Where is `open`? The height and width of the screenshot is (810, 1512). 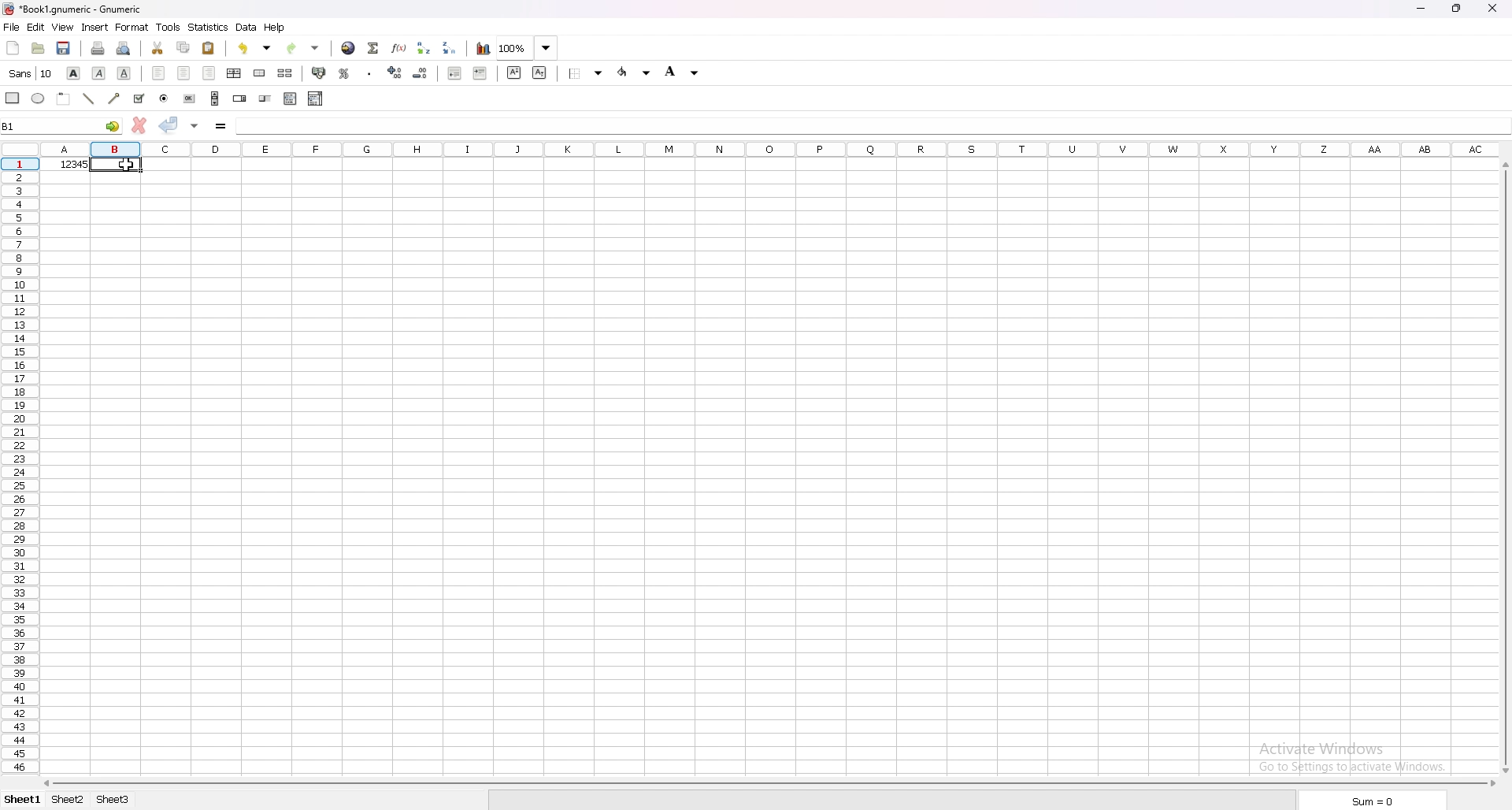 open is located at coordinates (37, 49).